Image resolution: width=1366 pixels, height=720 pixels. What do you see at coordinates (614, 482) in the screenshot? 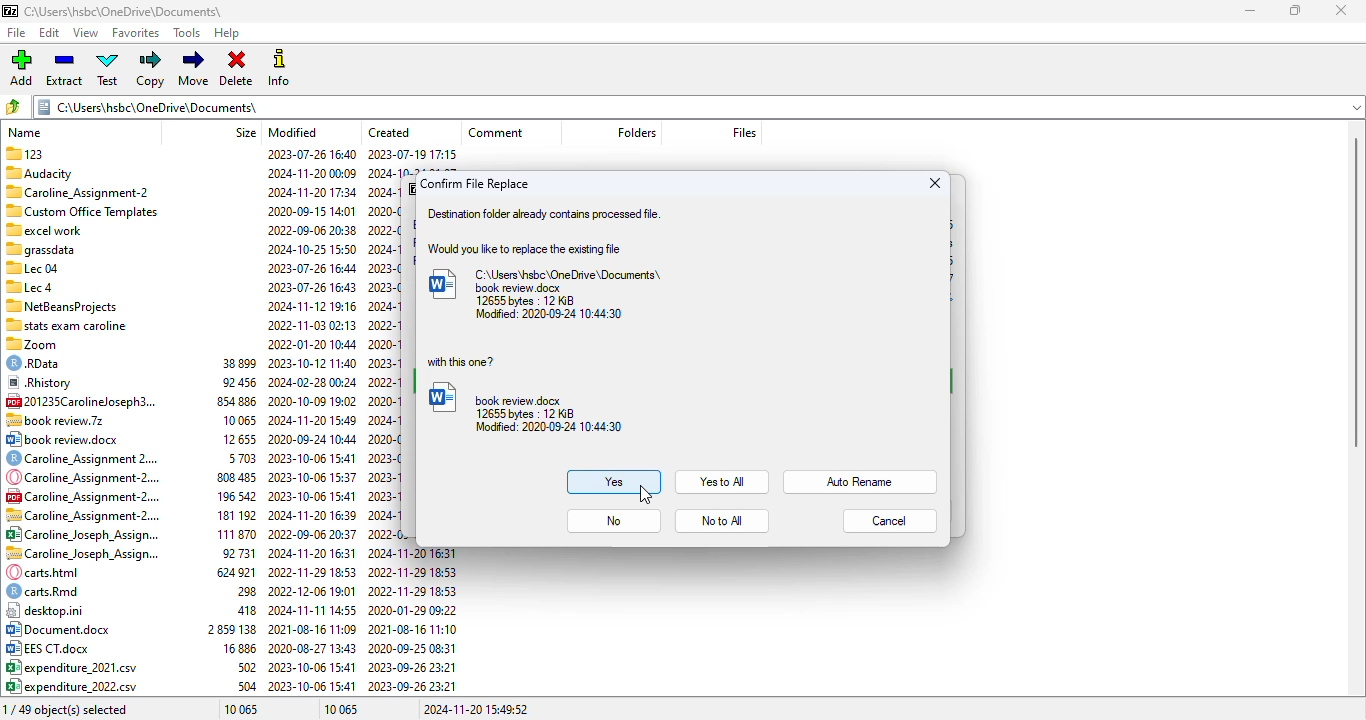
I see `yes` at bounding box center [614, 482].